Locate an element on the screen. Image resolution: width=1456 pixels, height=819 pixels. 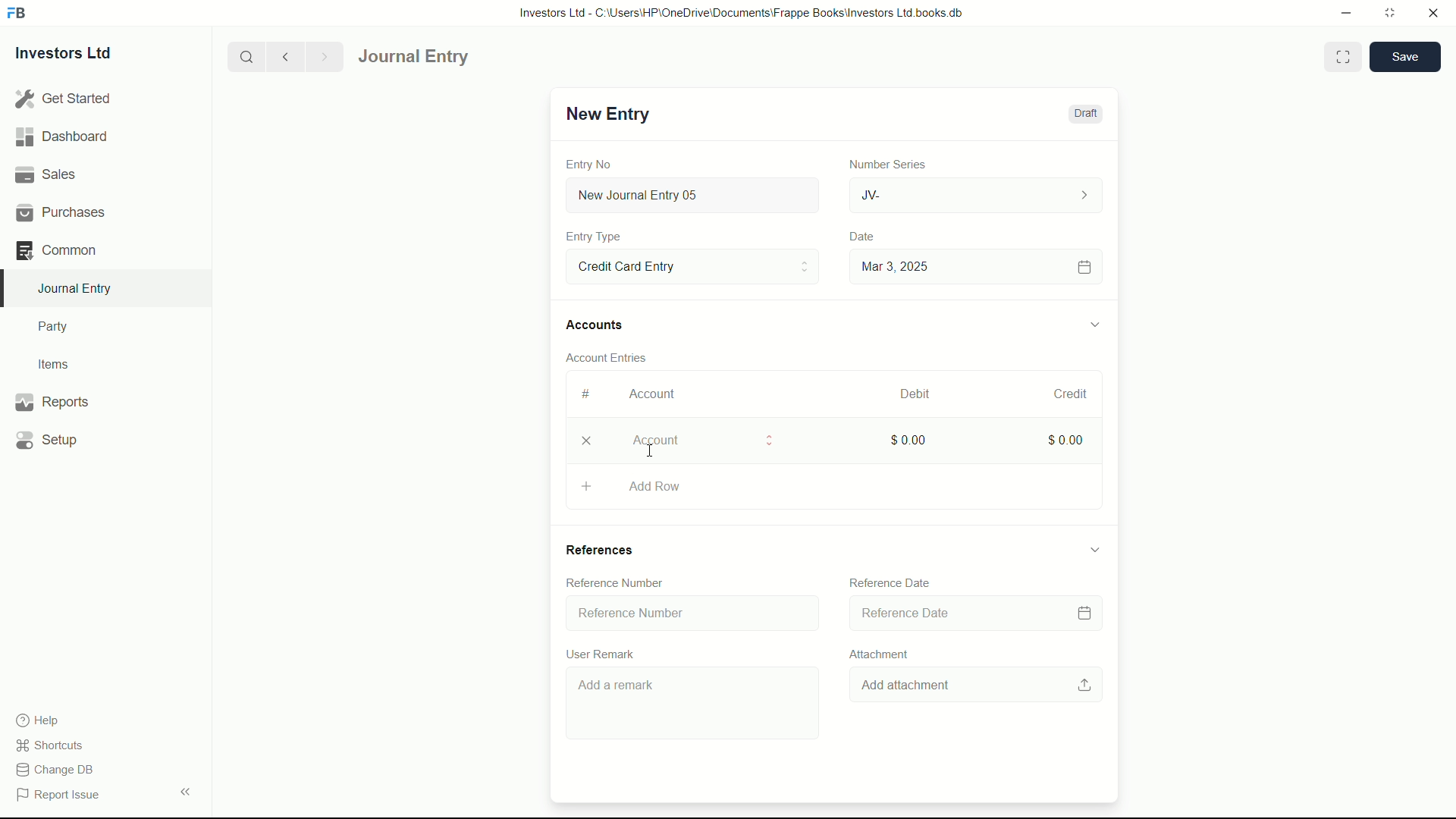
Number Series is located at coordinates (881, 163).